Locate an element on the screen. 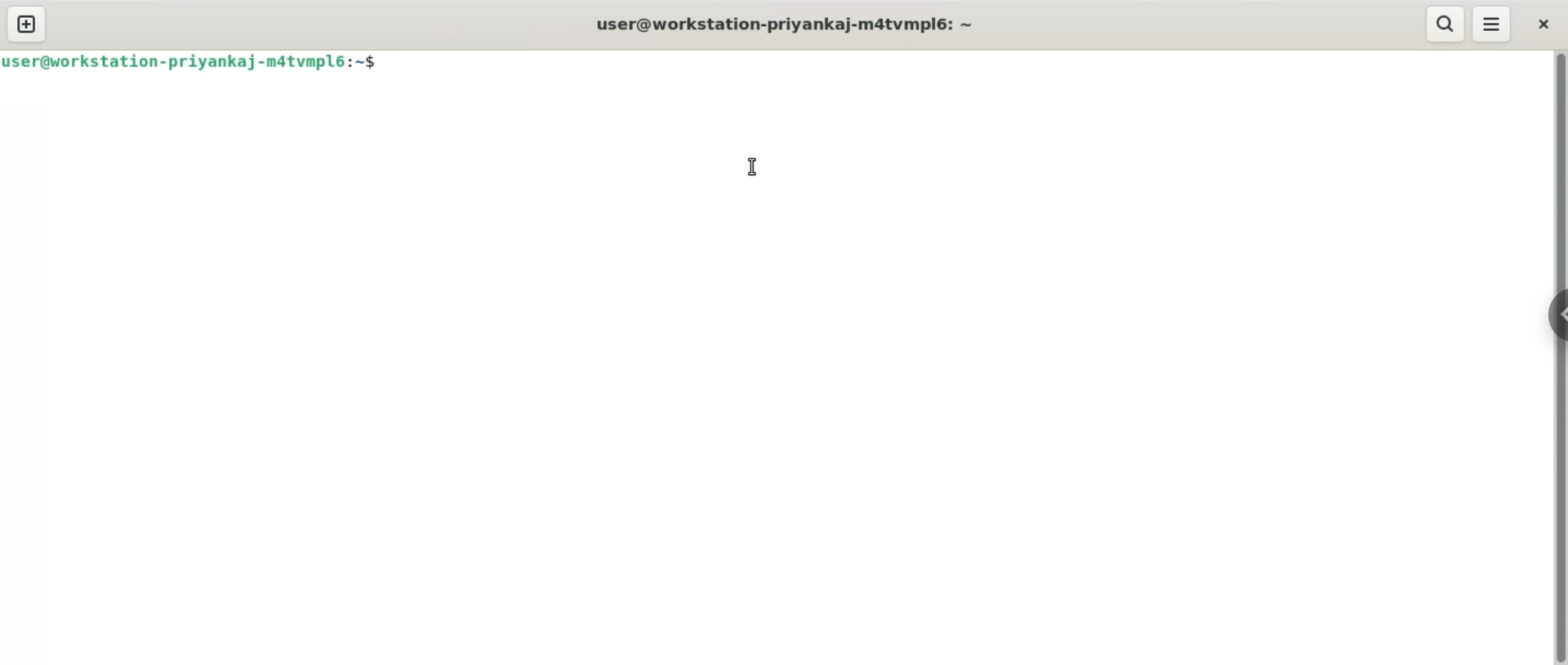 The height and width of the screenshot is (665, 1568). new tab is located at coordinates (26, 24).